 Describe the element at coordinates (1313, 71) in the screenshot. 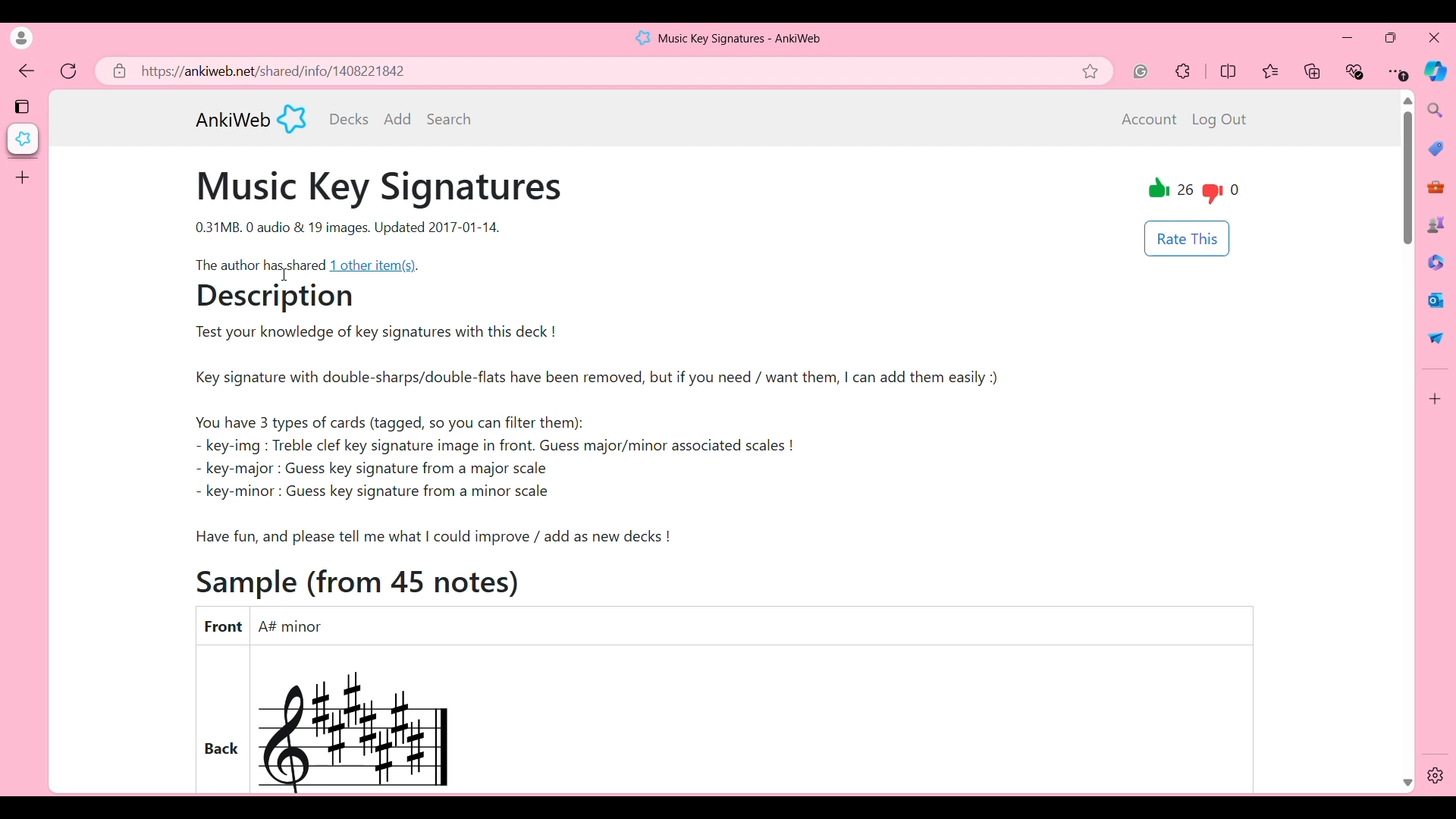

I see `Collections` at that location.